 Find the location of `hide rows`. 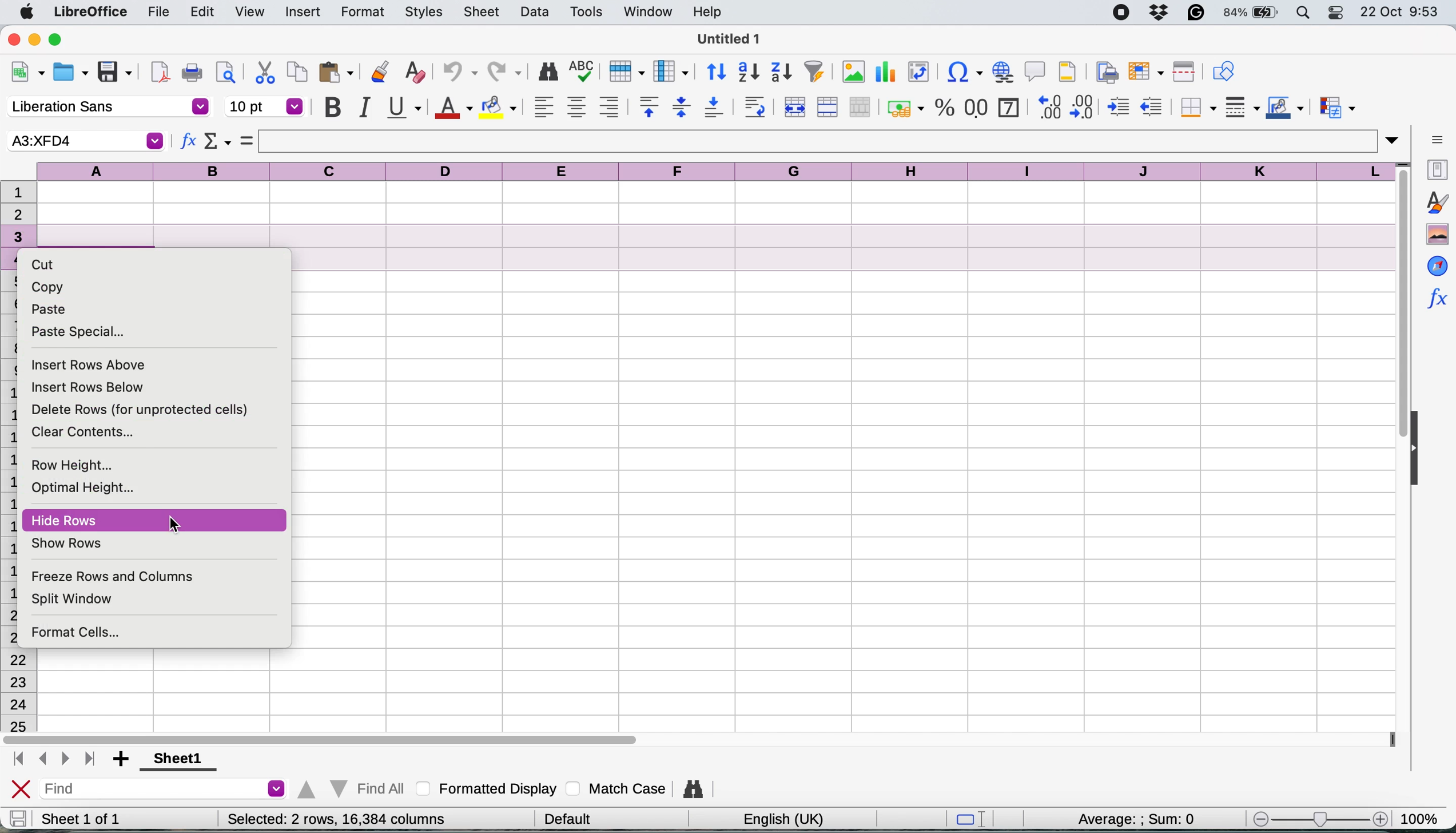

hide rows is located at coordinates (67, 518).